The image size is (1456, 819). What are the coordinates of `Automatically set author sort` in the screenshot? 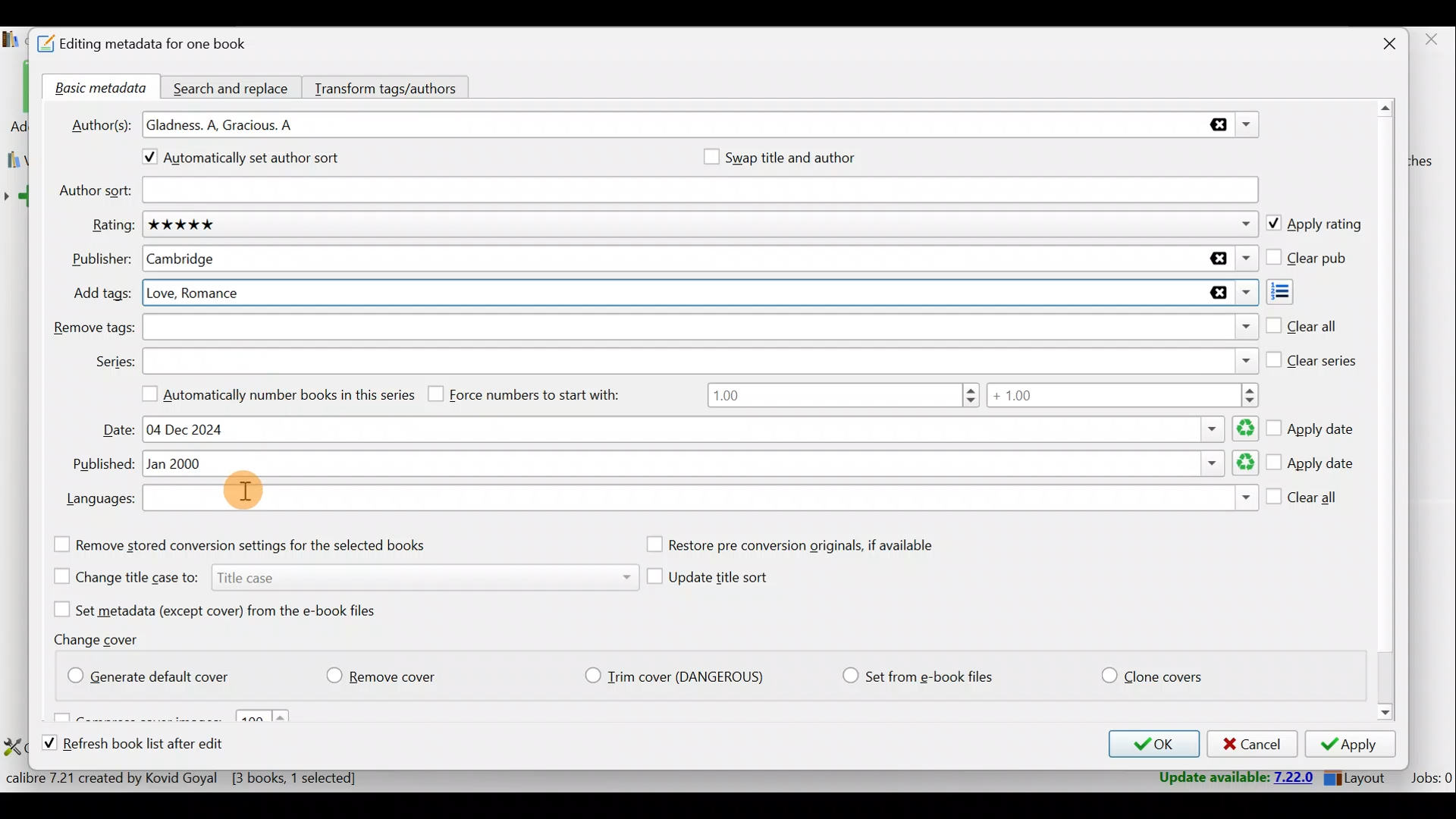 It's located at (253, 160).